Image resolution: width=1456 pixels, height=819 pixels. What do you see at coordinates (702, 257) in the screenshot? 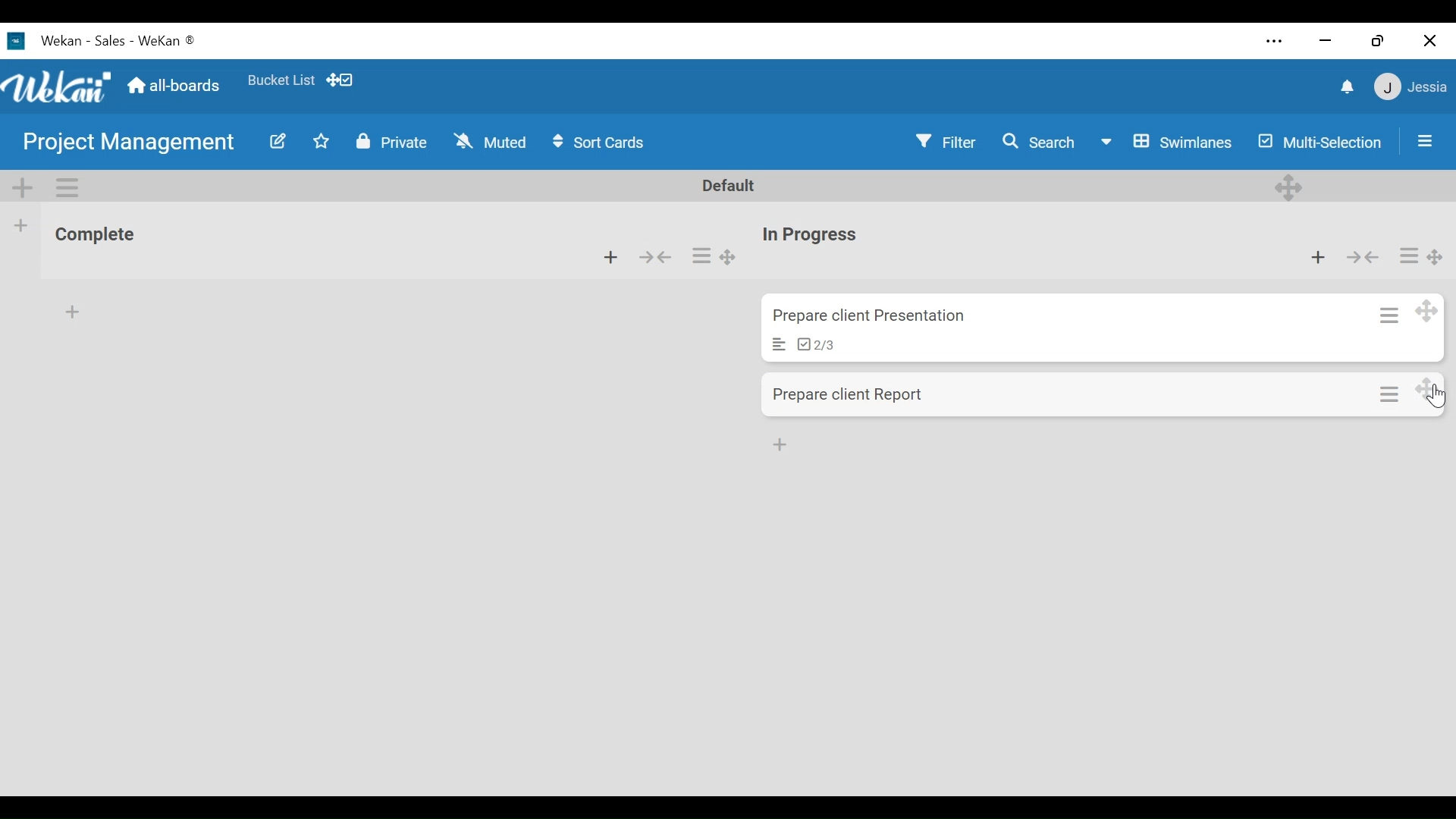
I see `List actions` at bounding box center [702, 257].